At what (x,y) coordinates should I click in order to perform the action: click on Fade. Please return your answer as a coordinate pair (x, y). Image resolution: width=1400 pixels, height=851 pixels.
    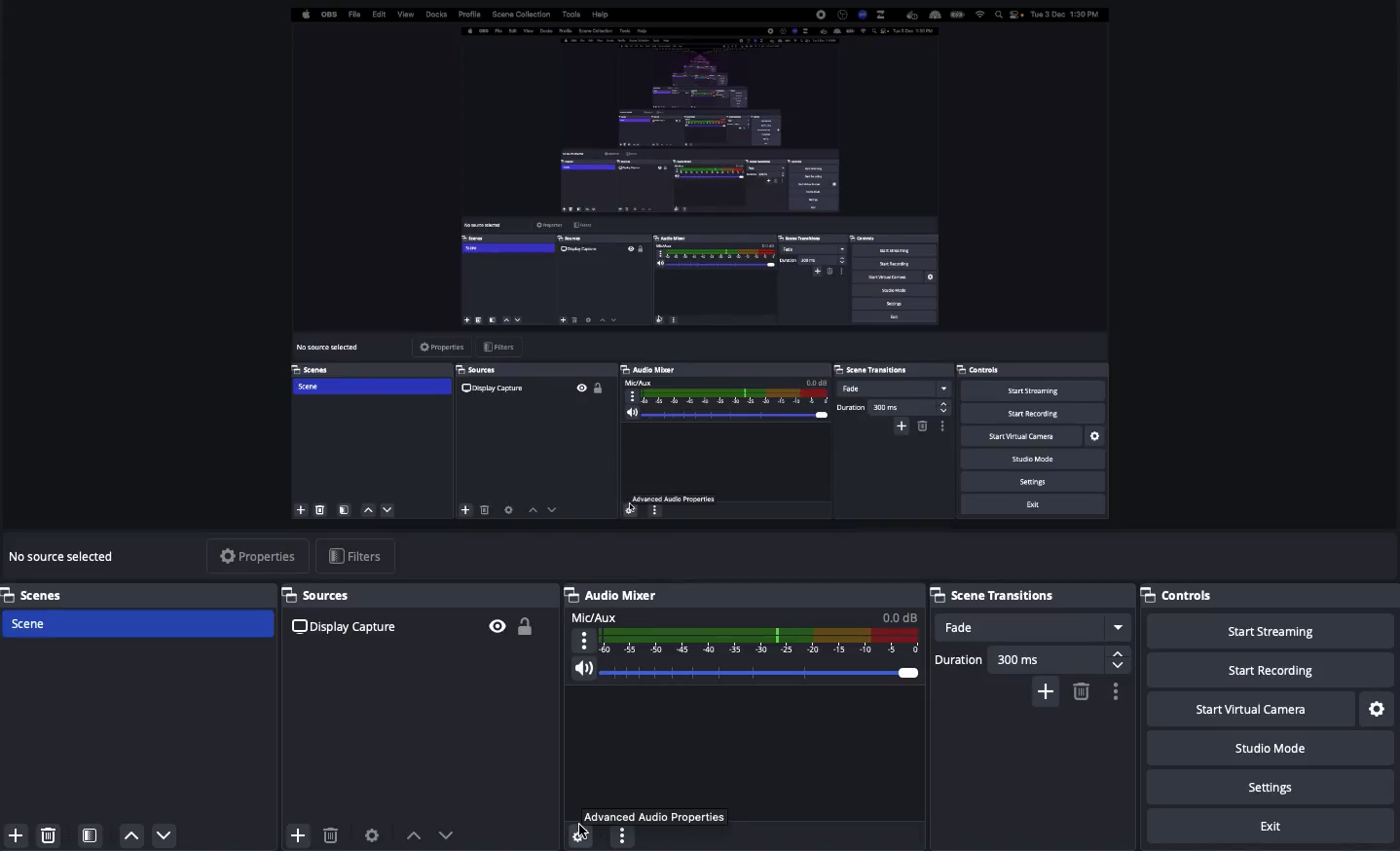
    Looking at the image, I should click on (1034, 629).